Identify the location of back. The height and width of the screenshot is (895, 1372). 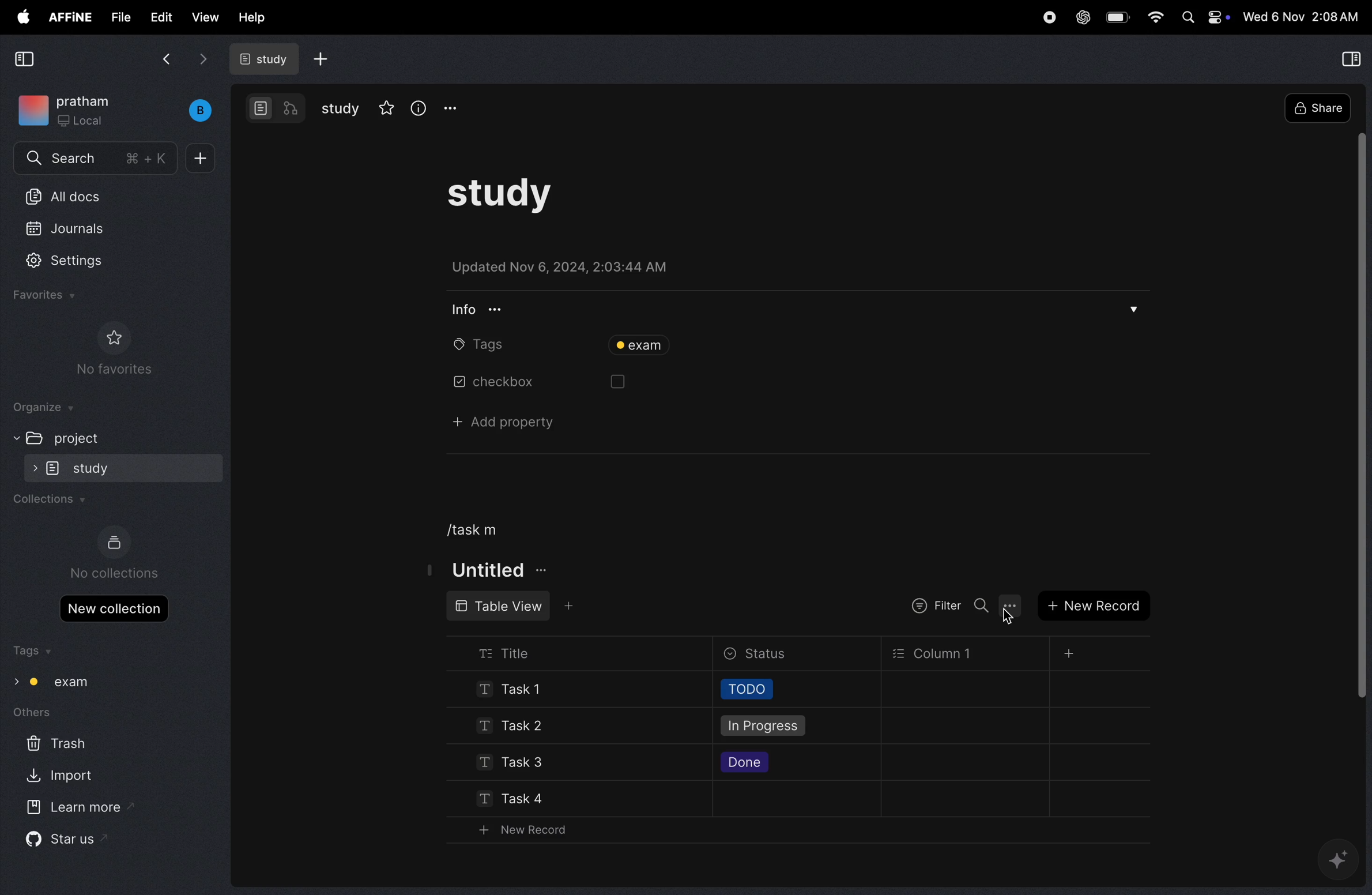
(164, 61).